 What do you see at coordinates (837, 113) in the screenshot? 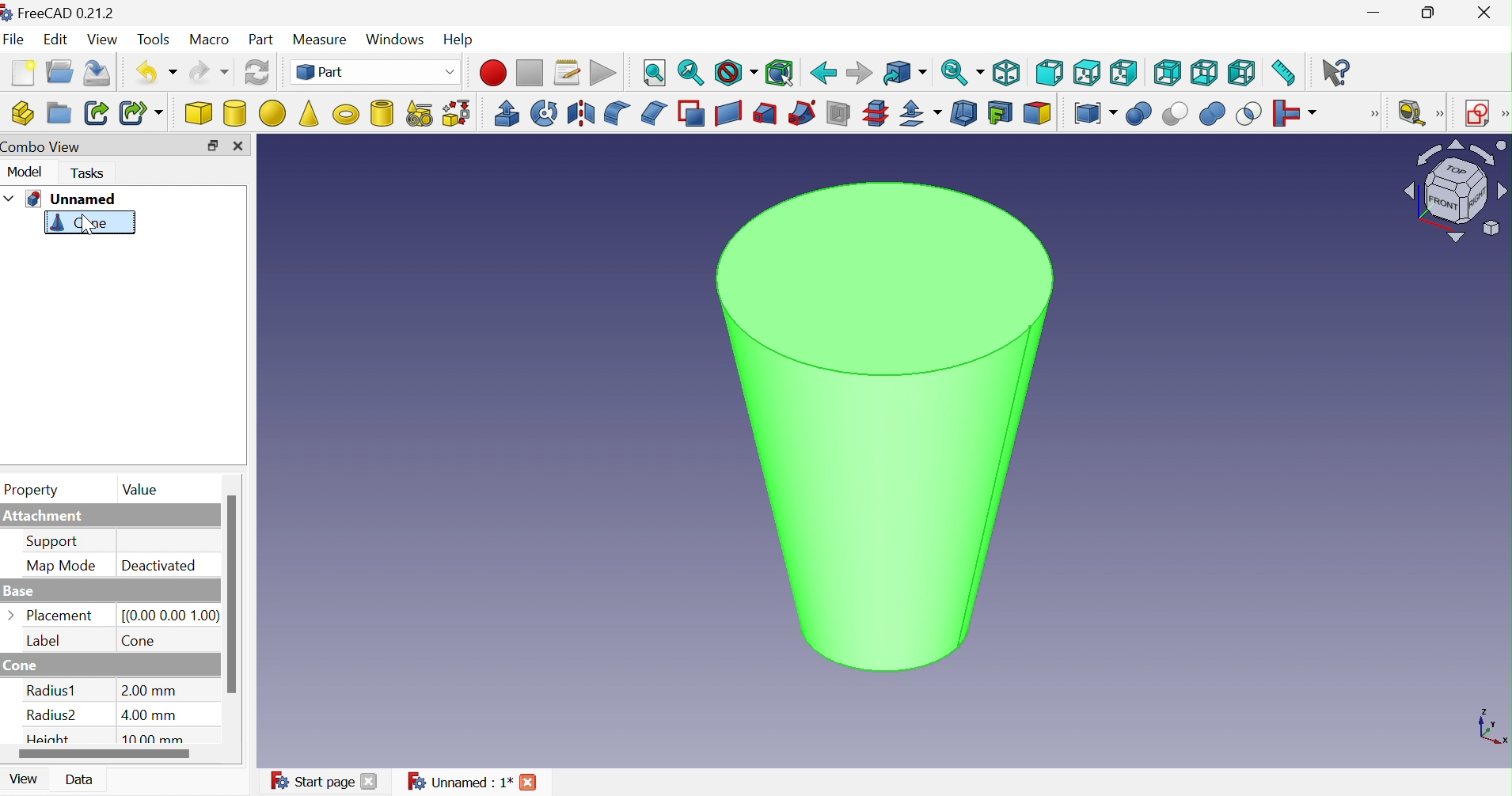
I see `Section` at bounding box center [837, 113].